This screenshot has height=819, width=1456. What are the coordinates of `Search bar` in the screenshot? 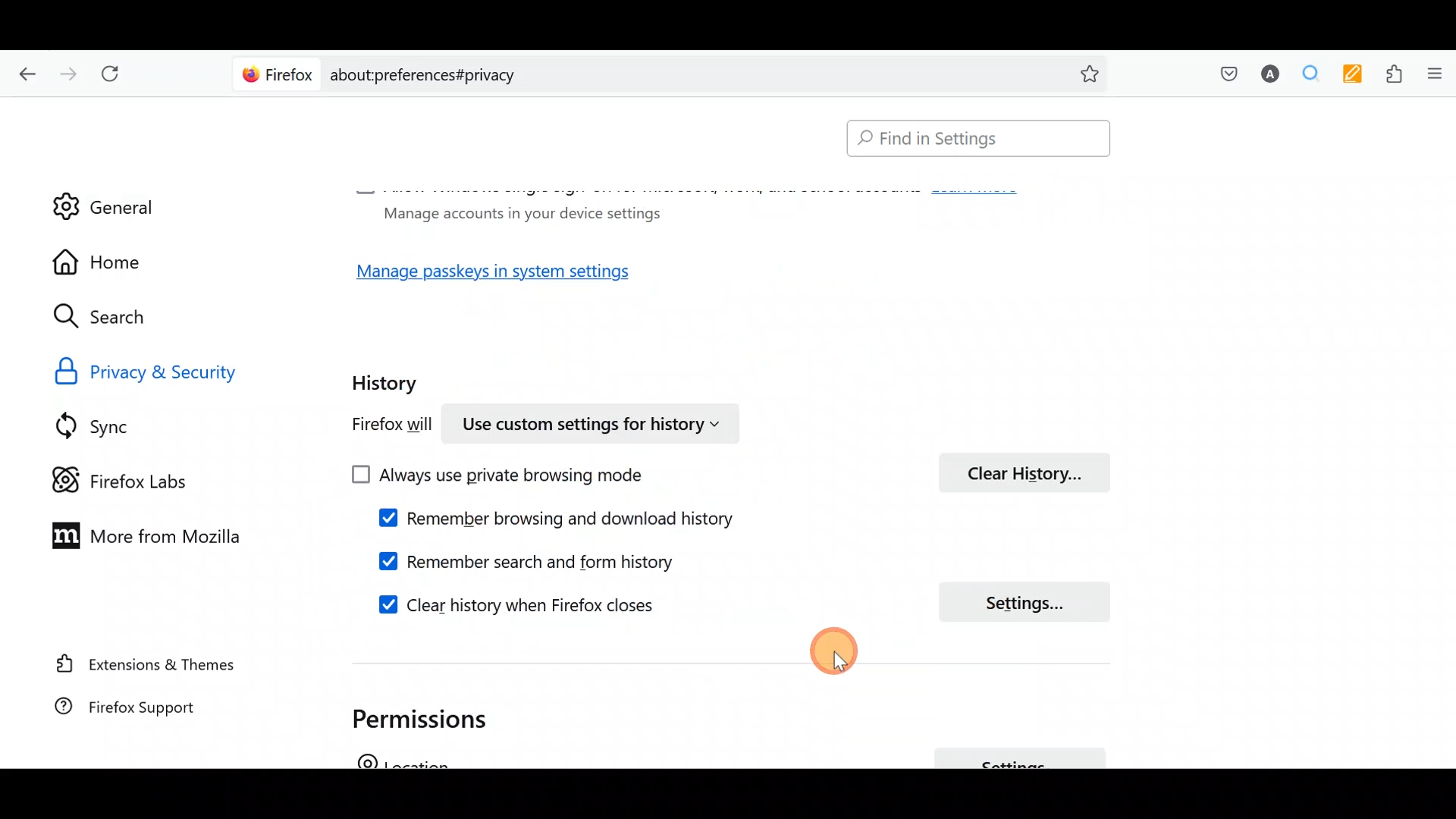 It's located at (971, 140).